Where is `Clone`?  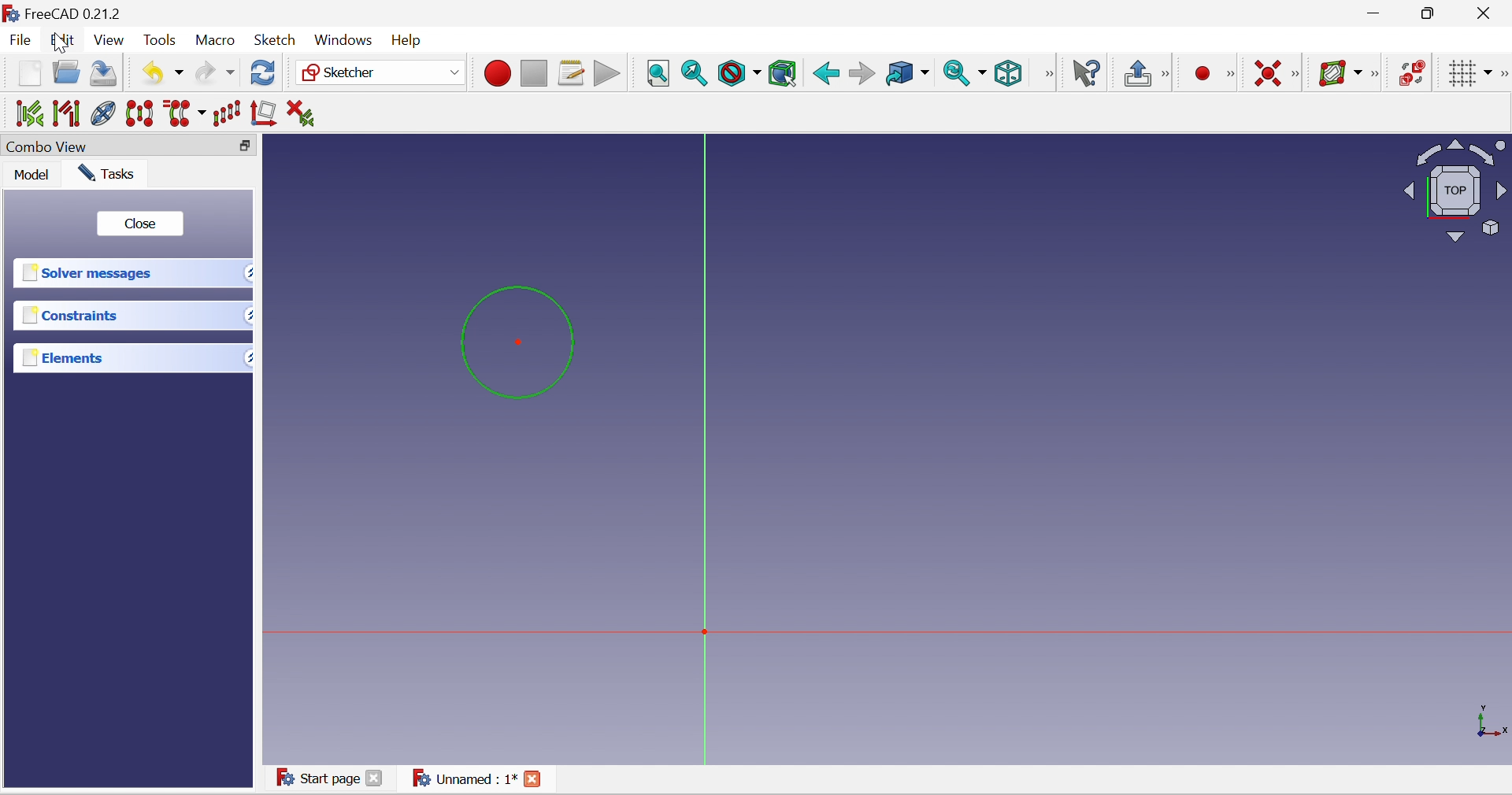
Clone is located at coordinates (182, 115).